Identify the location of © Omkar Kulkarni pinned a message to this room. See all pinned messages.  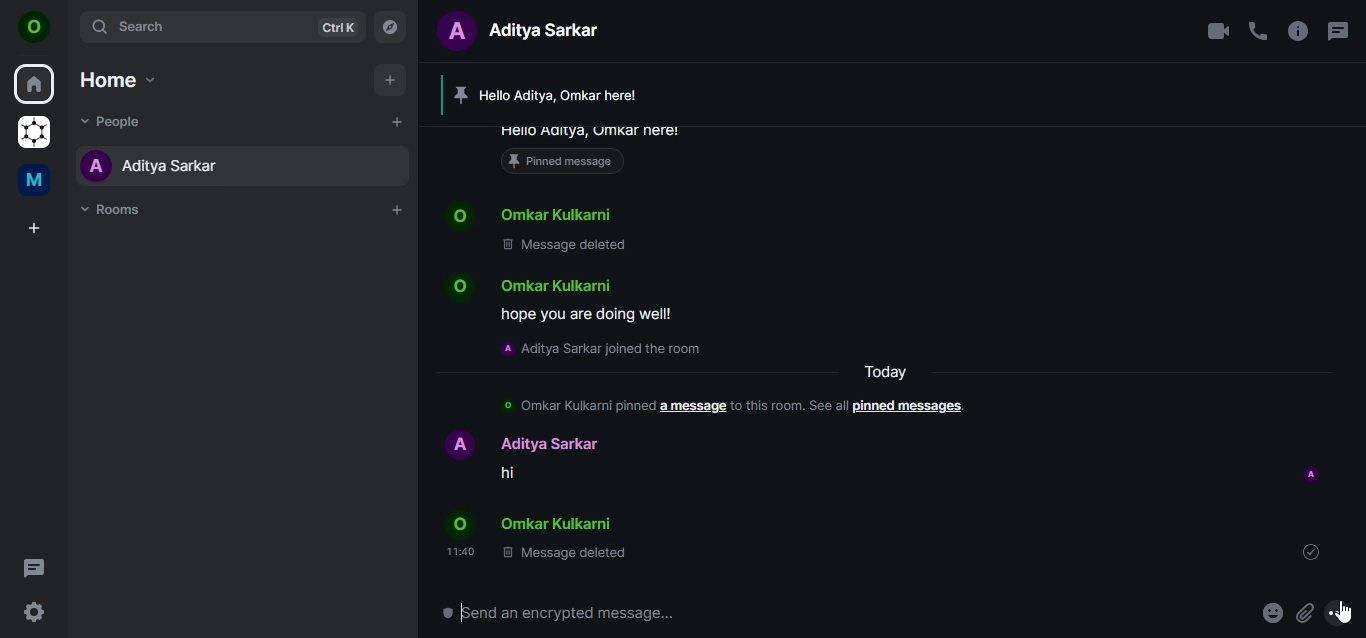
(571, 404).